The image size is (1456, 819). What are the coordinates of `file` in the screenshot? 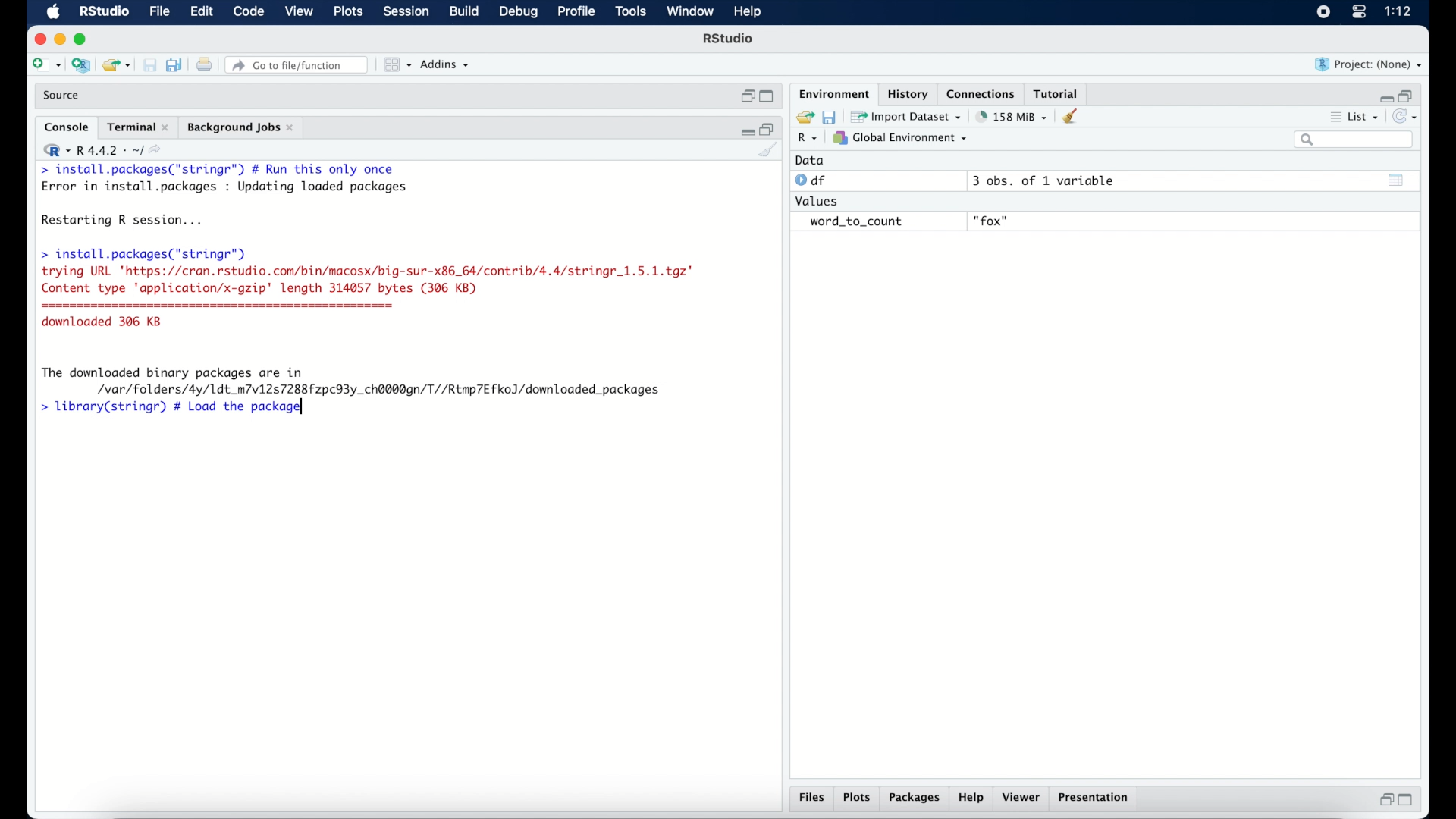 It's located at (161, 12).